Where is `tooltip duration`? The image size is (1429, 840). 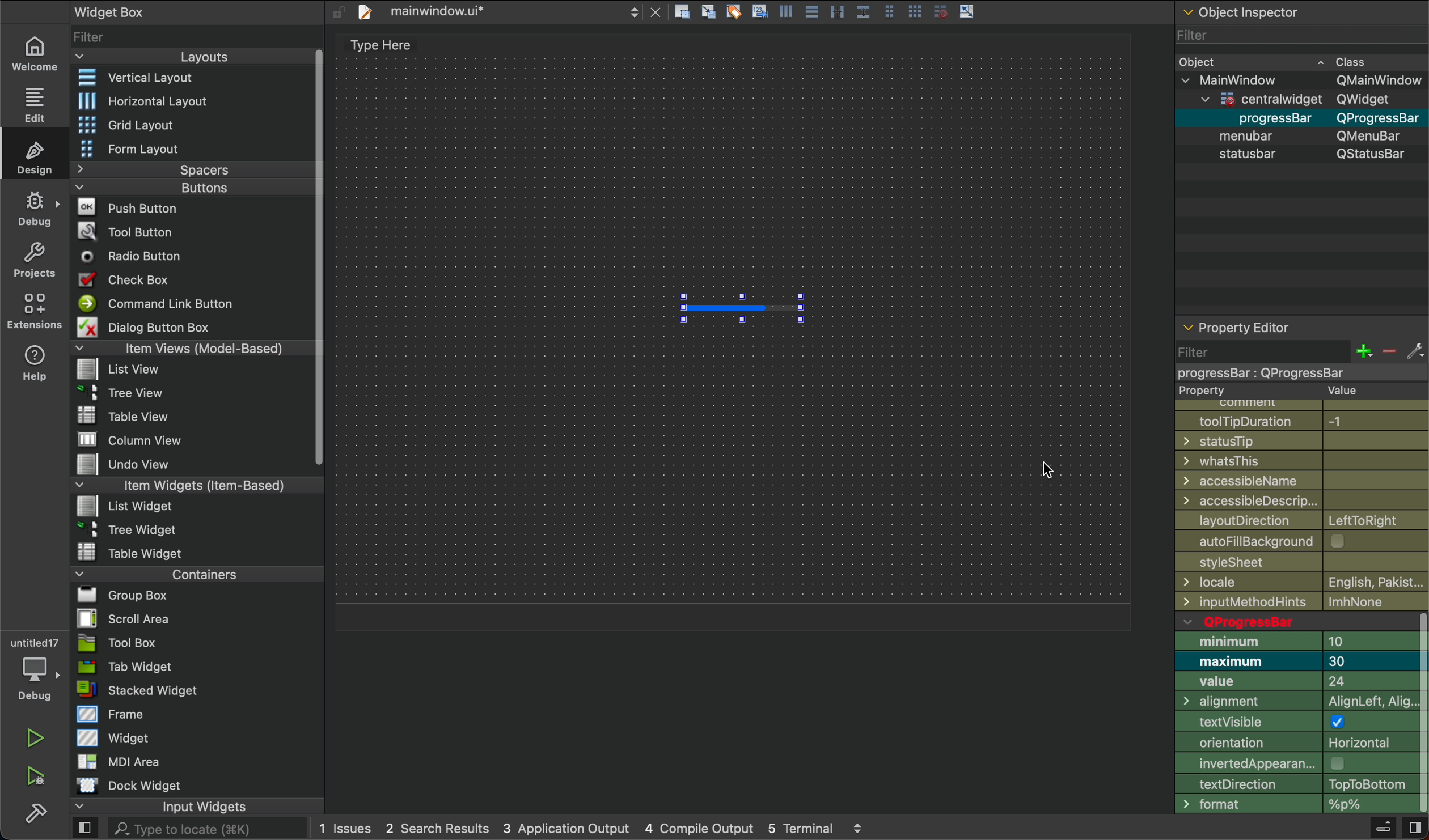 tooltip duration is located at coordinates (1296, 419).